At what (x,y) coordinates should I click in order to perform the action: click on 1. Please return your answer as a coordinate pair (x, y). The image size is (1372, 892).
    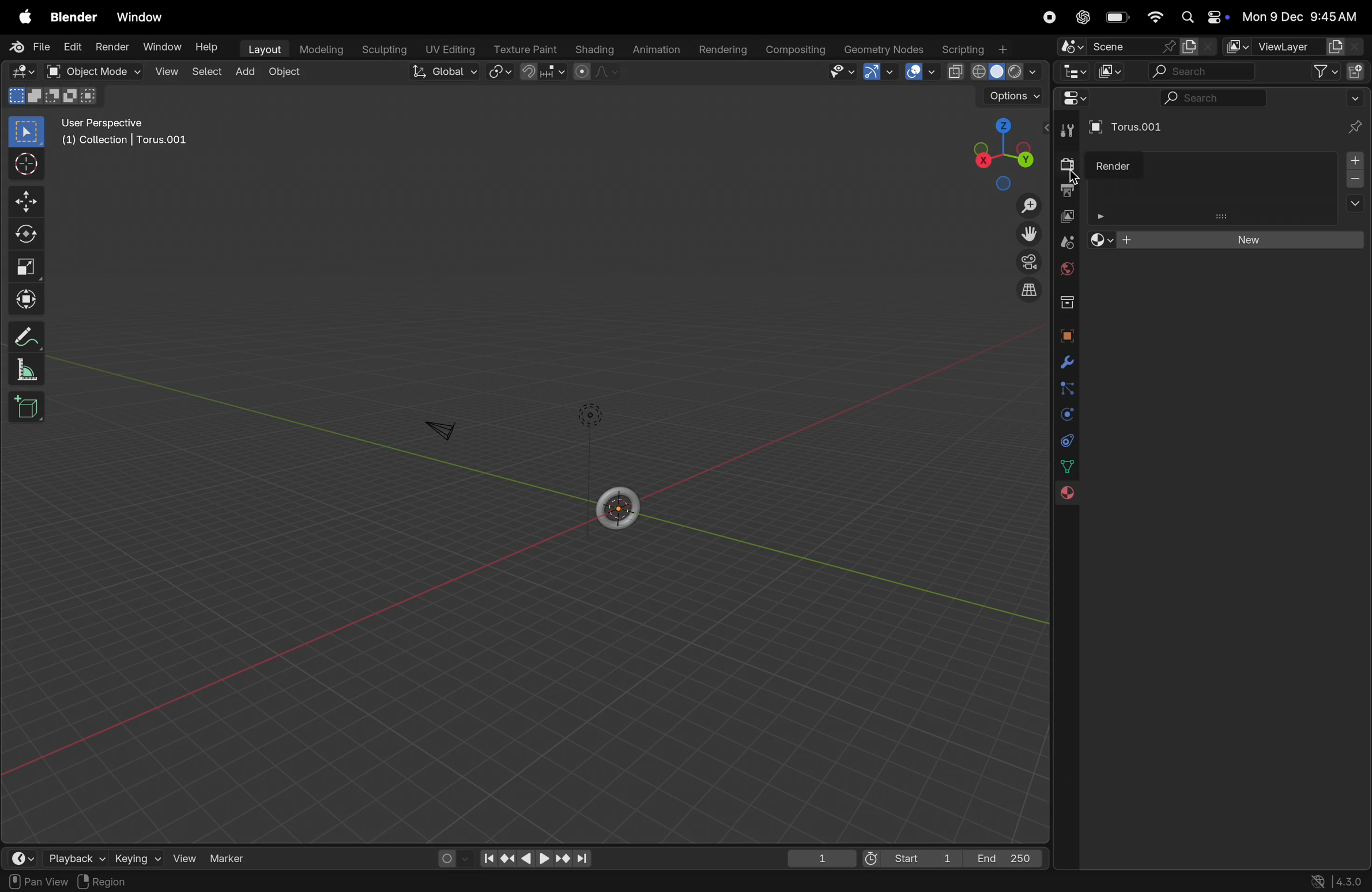
    Looking at the image, I should click on (822, 860).